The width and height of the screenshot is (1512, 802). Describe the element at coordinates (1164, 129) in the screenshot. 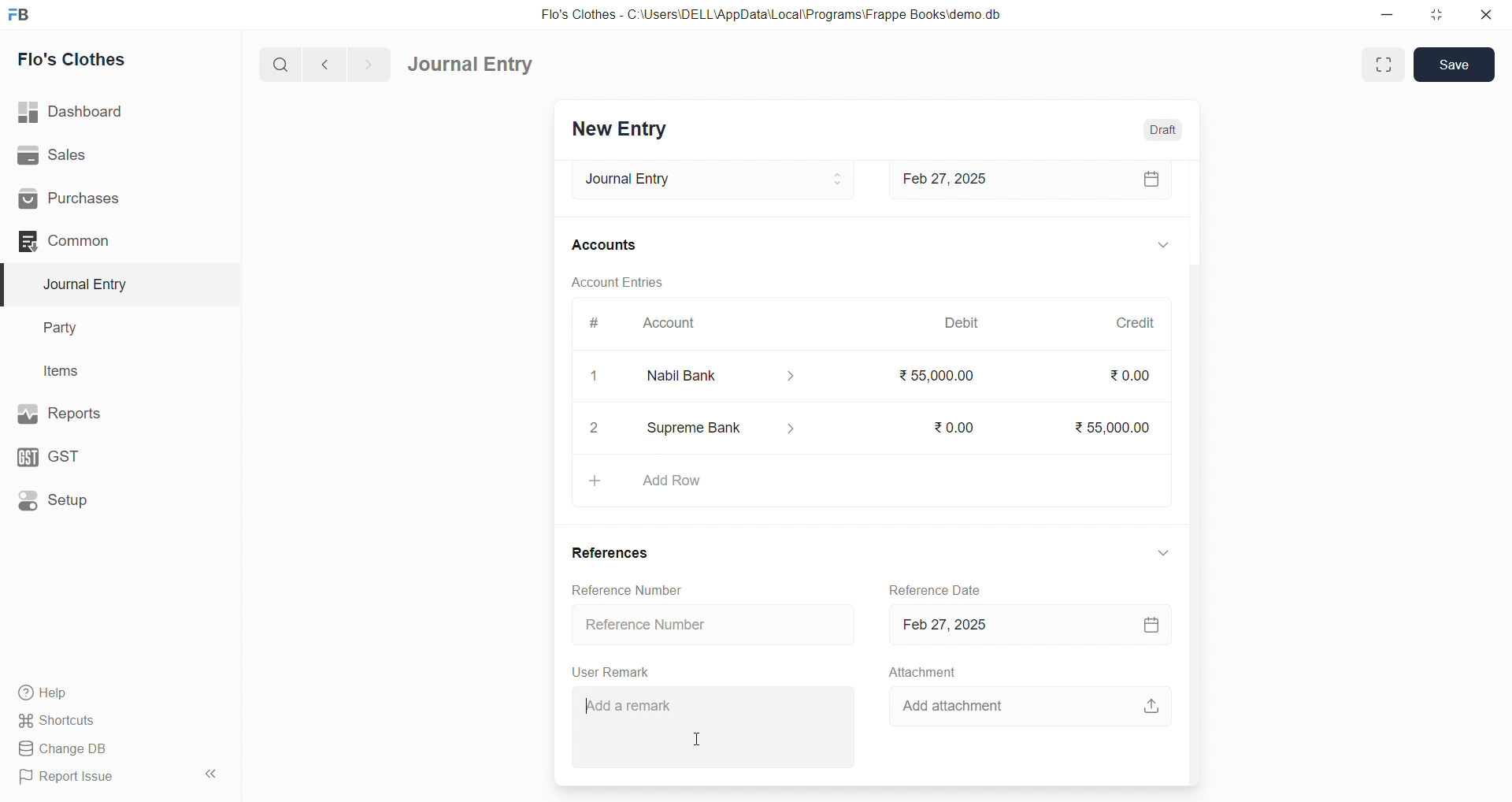

I see `Draft` at that location.